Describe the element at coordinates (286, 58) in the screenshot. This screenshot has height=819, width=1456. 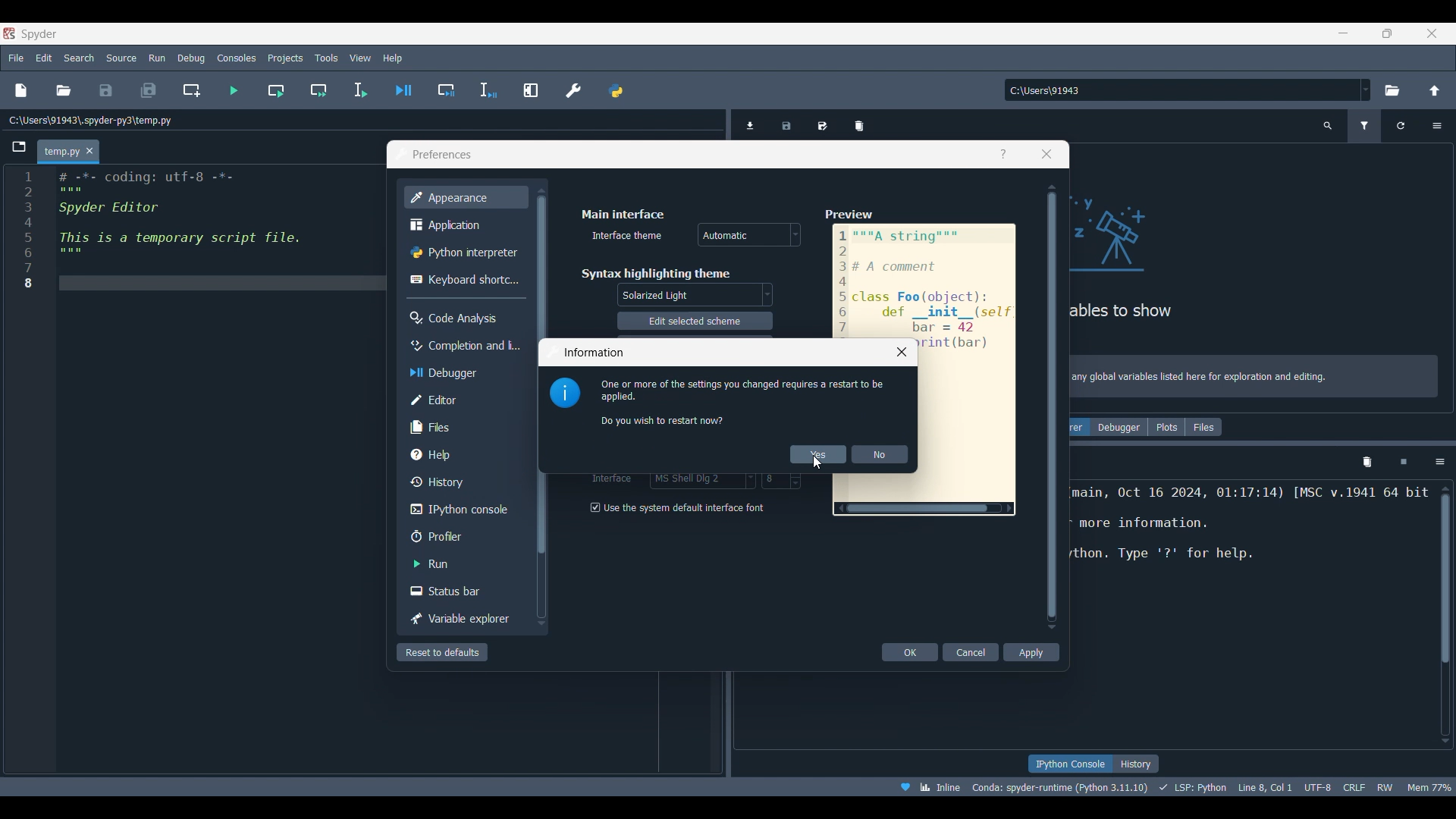
I see `Projects menu` at that location.